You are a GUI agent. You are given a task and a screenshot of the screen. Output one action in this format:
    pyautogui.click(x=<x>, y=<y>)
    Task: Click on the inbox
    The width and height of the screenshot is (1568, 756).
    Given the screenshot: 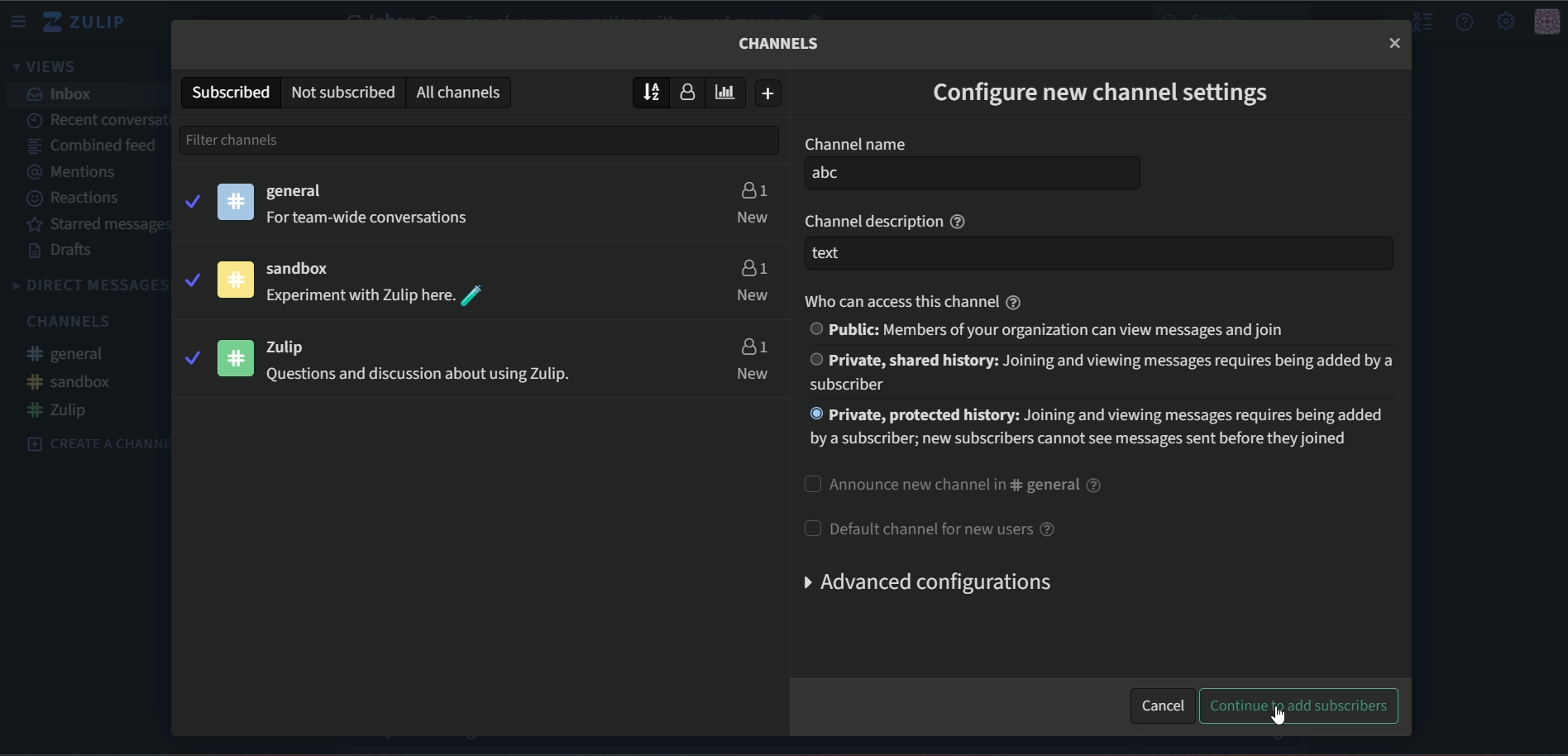 What is the action you would take?
    pyautogui.click(x=62, y=94)
    